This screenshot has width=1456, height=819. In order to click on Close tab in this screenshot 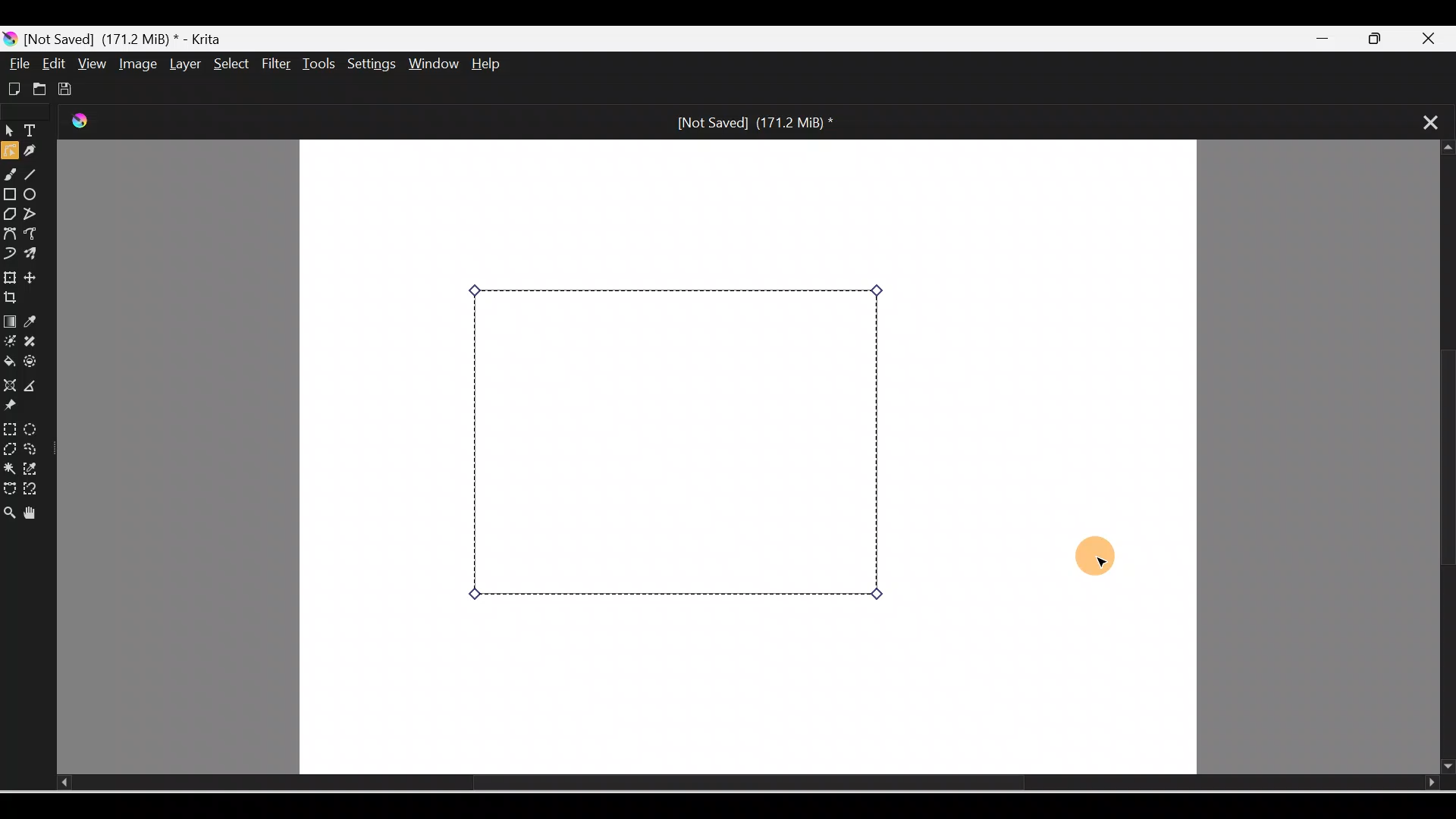, I will do `click(1423, 121)`.